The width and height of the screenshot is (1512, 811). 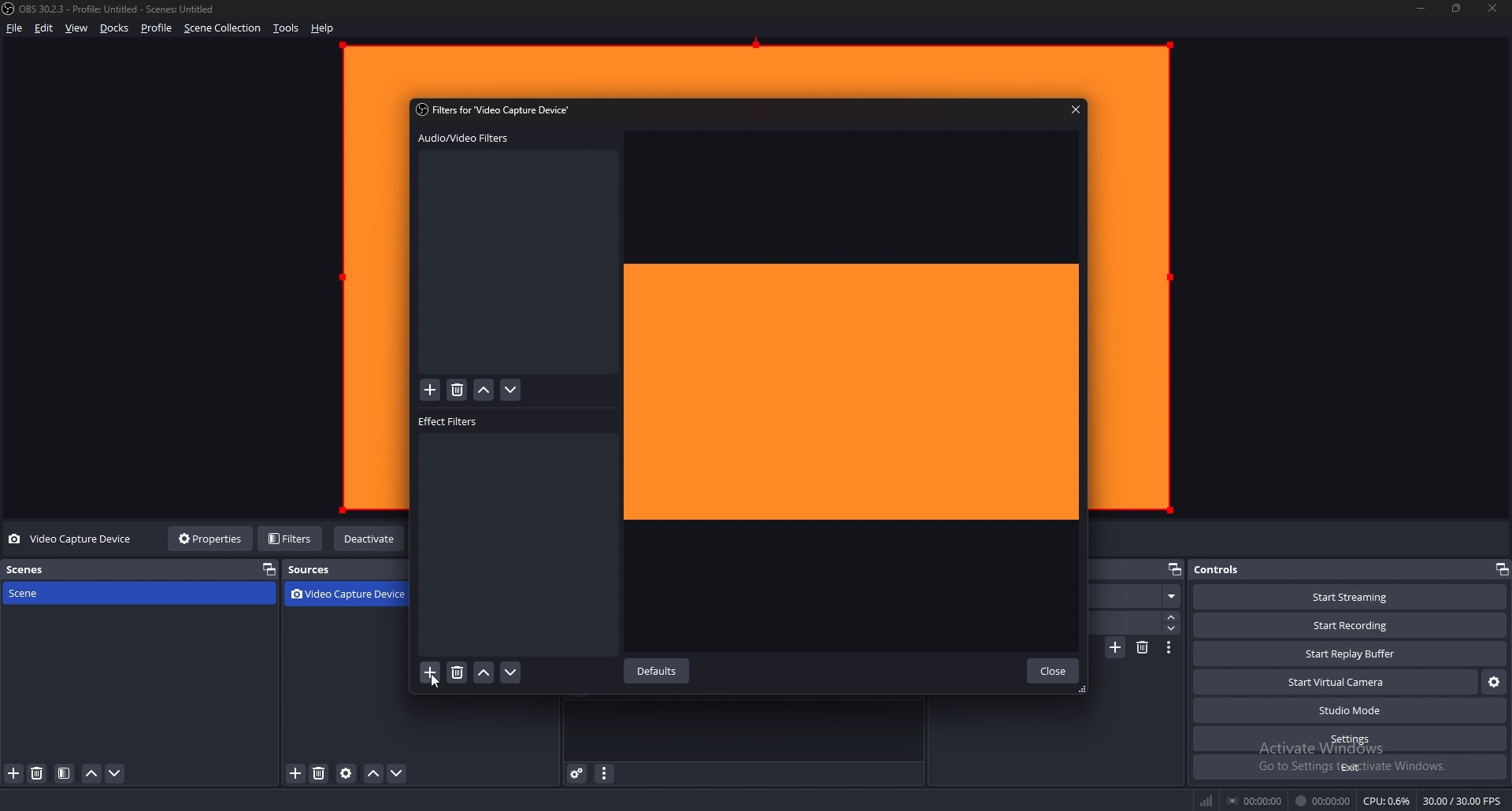 I want to click on remove scene, so click(x=39, y=774).